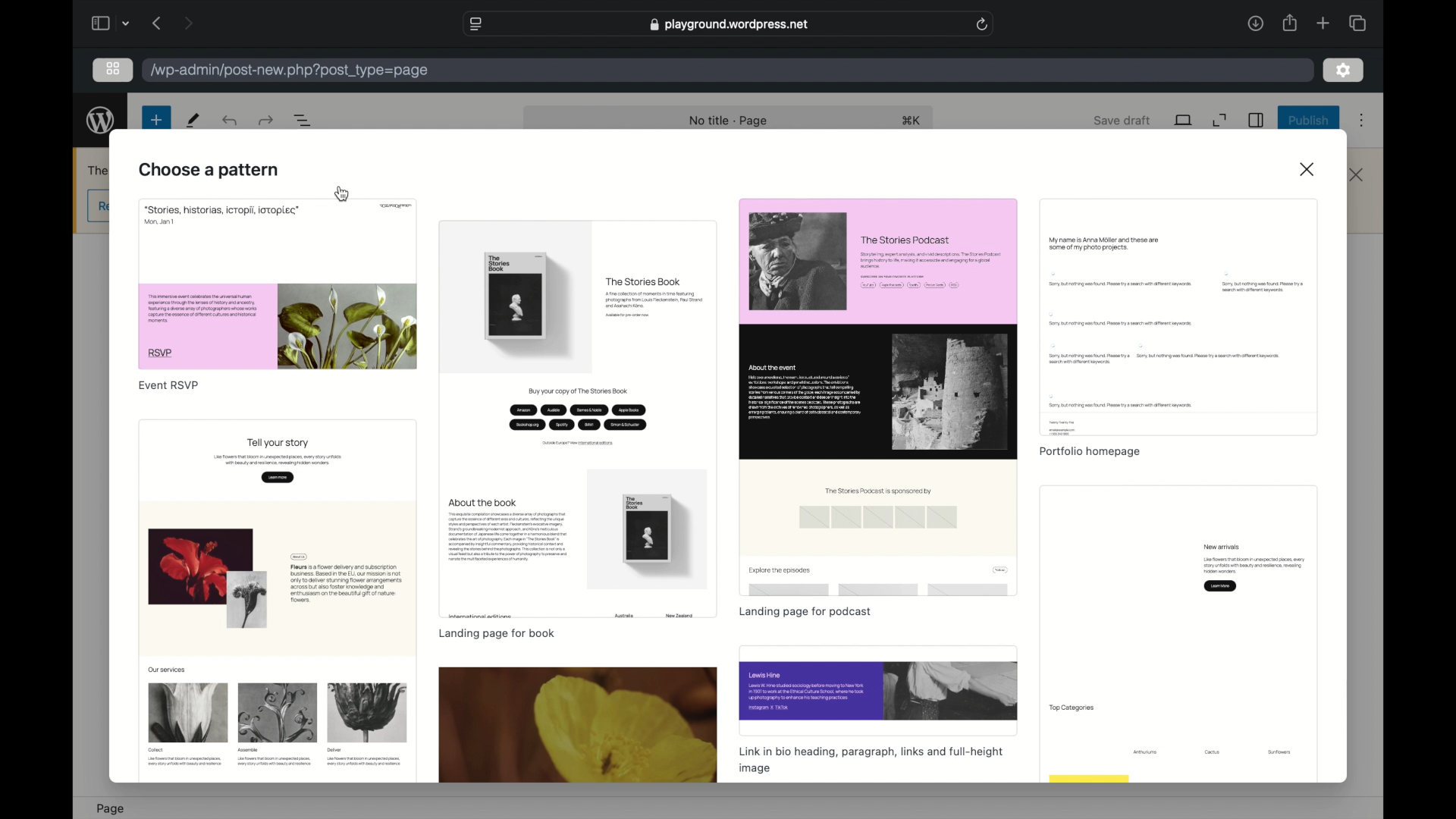  What do you see at coordinates (228, 121) in the screenshot?
I see `undo` at bounding box center [228, 121].